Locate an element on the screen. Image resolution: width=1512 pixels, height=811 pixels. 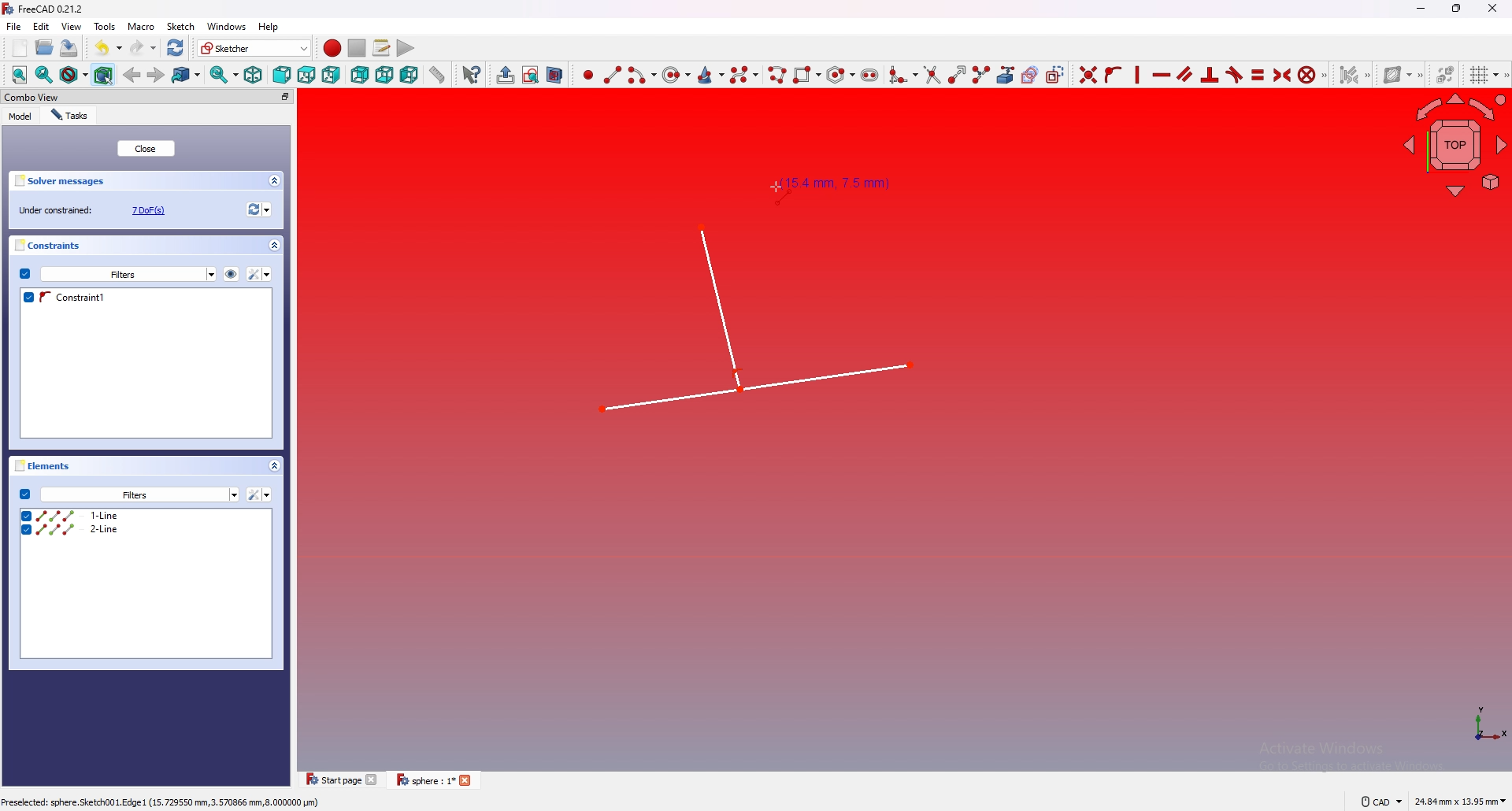
Create slot is located at coordinates (871, 73).